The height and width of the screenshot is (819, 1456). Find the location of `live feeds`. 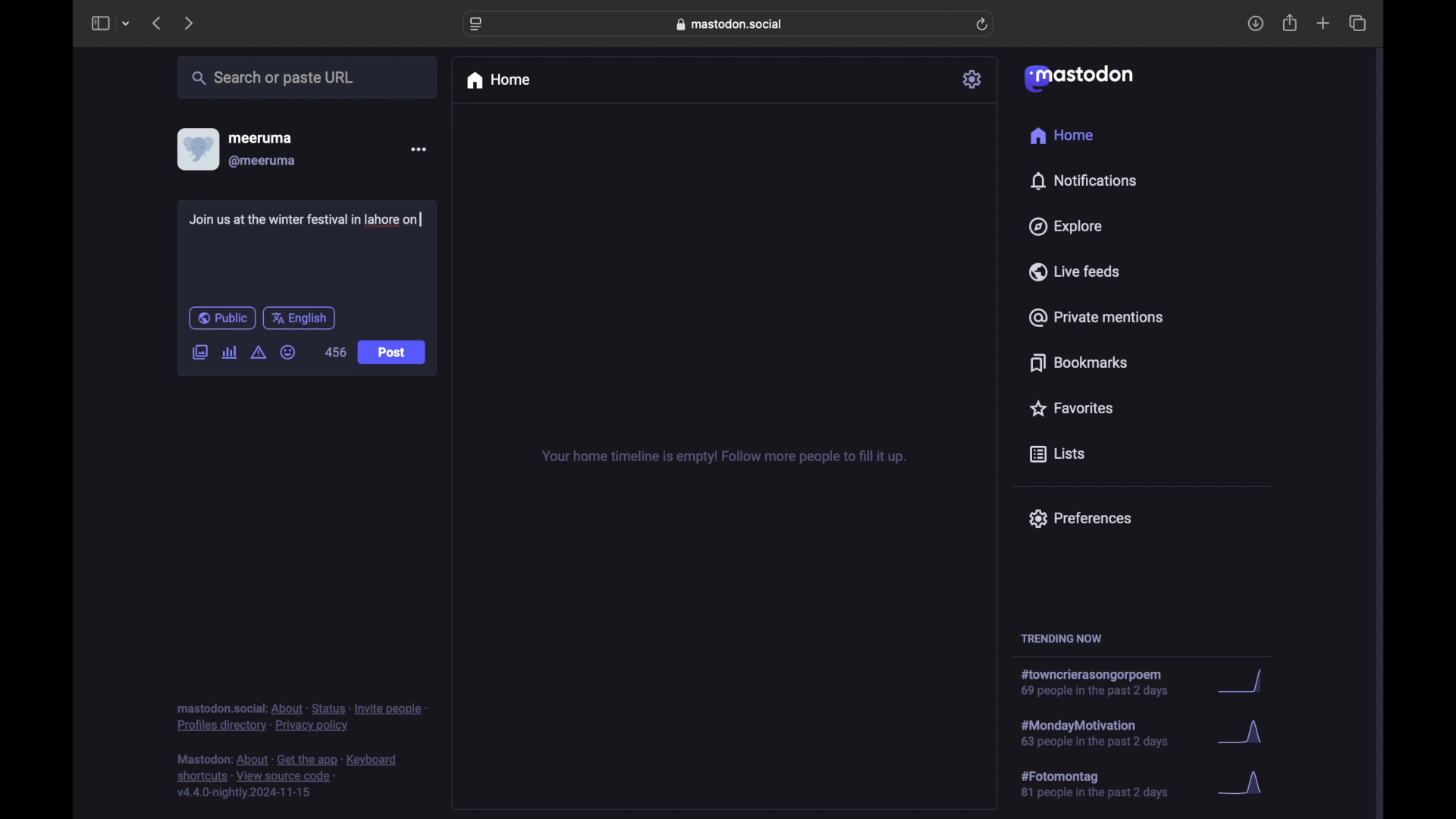

live feeds is located at coordinates (1075, 271).